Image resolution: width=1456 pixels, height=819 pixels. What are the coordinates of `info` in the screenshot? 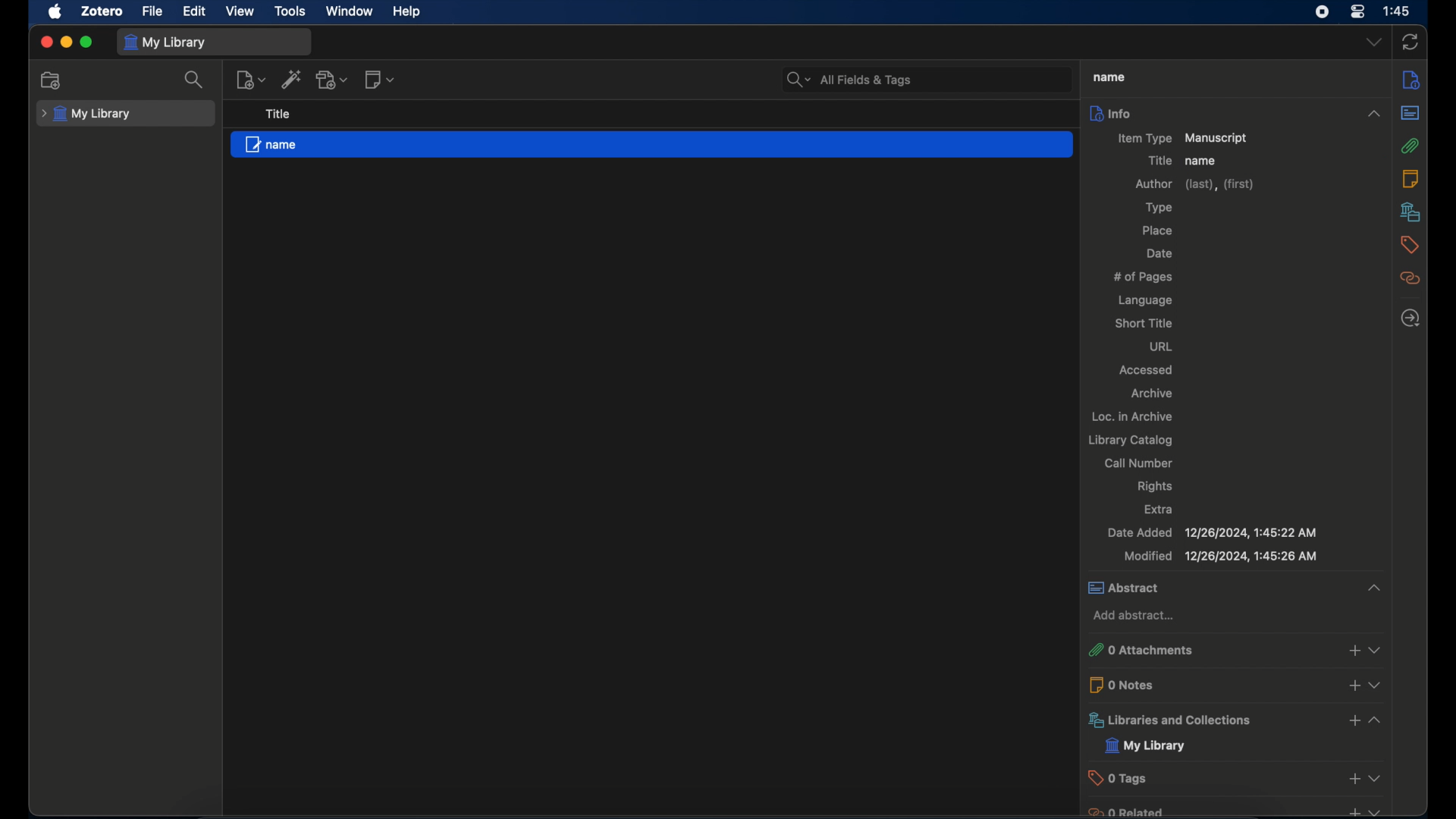 It's located at (1410, 80).